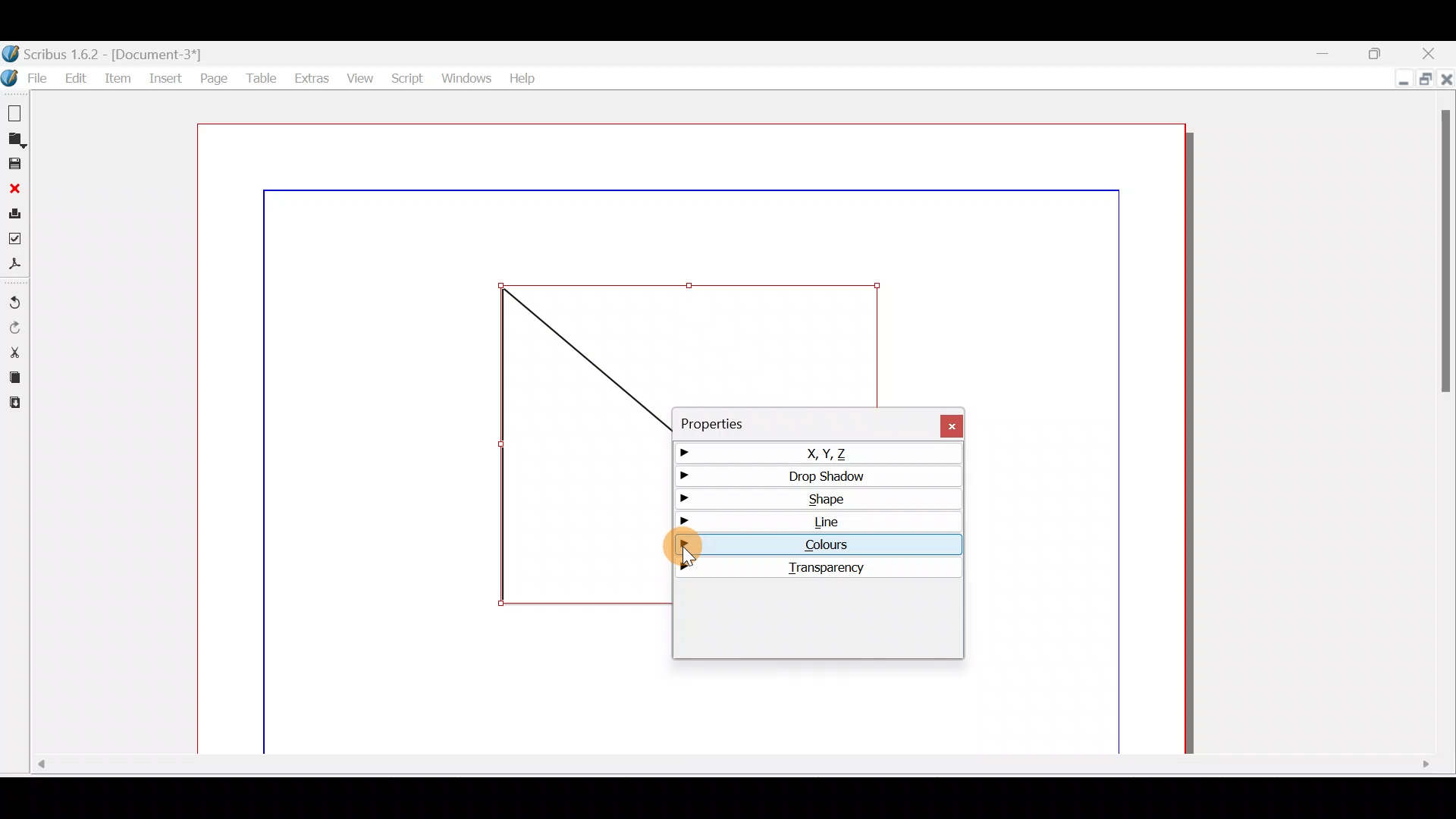  What do you see at coordinates (14, 212) in the screenshot?
I see `Print` at bounding box center [14, 212].